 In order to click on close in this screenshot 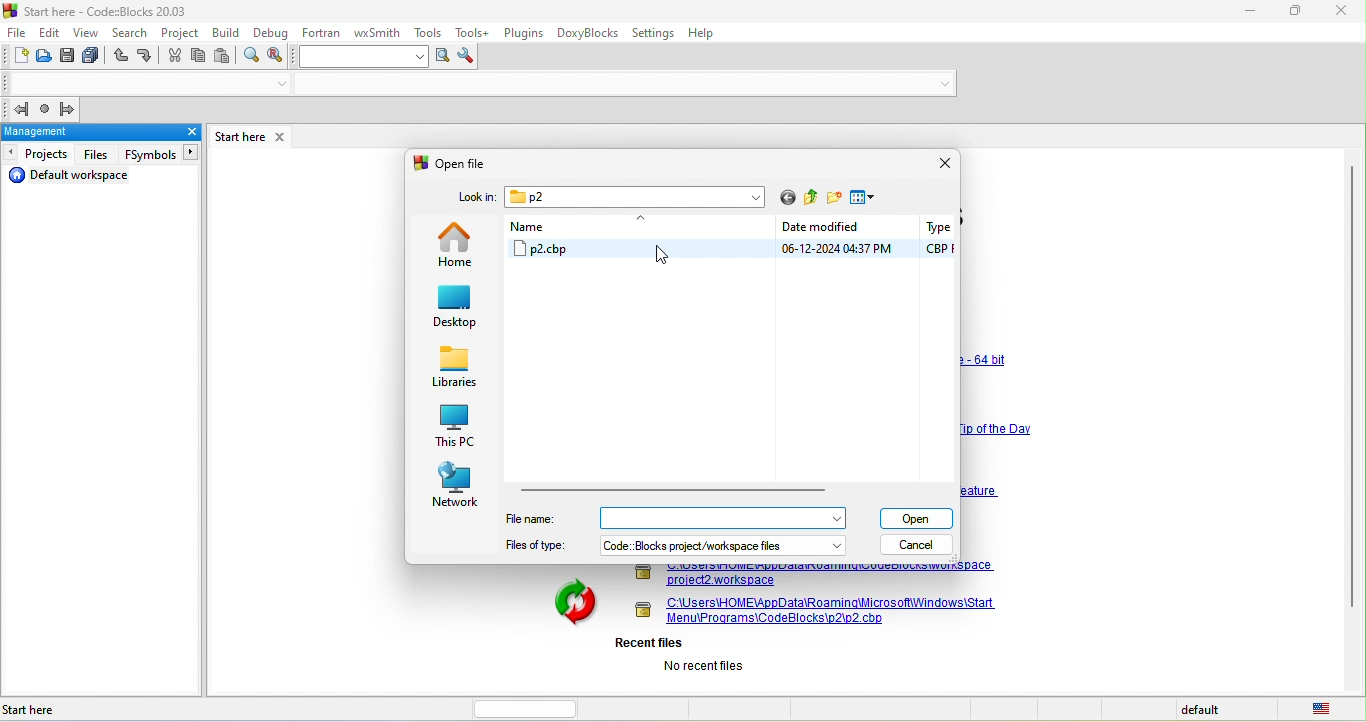, I will do `click(1338, 12)`.